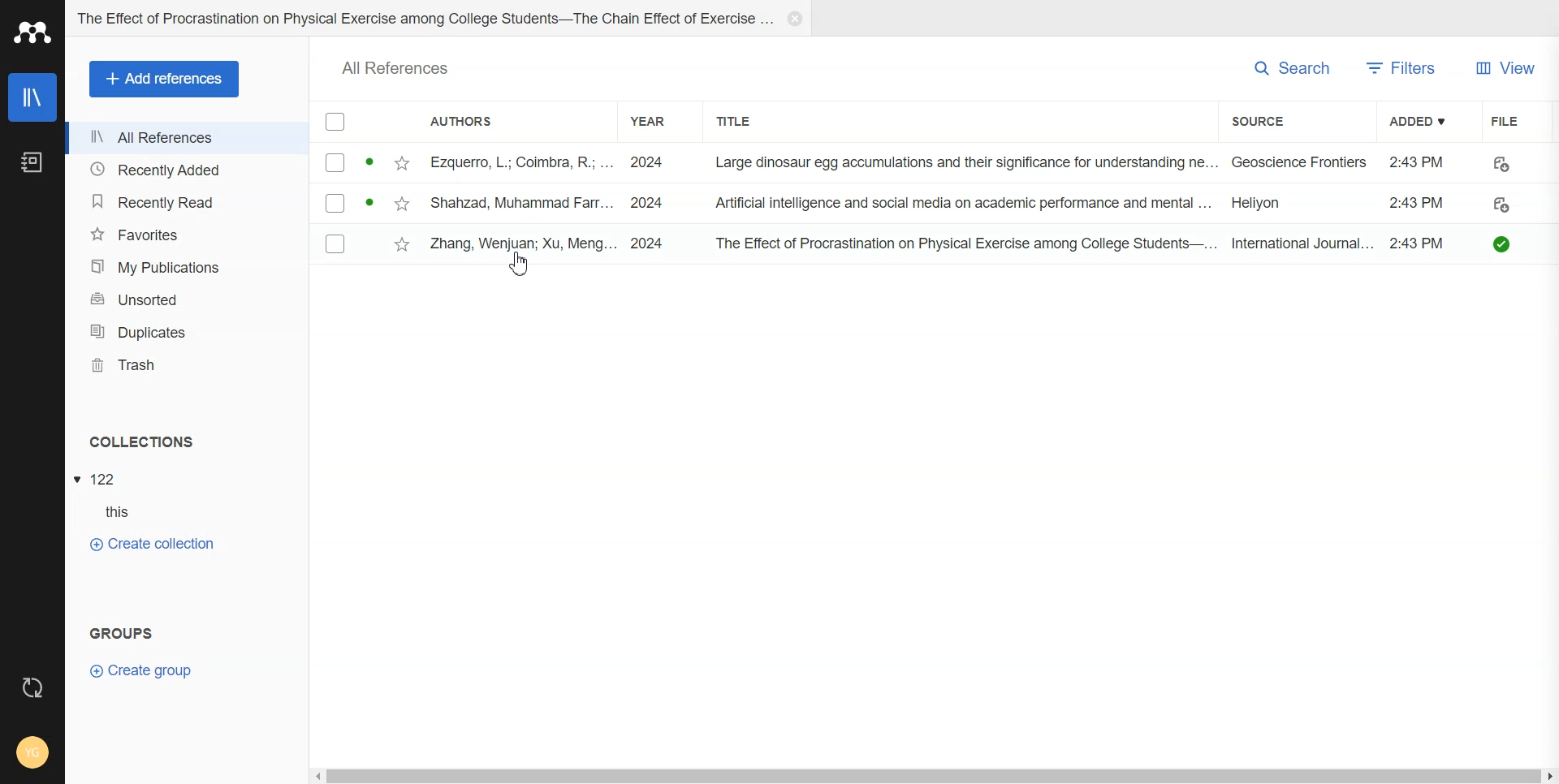 This screenshot has height=784, width=1559. Describe the element at coordinates (191, 266) in the screenshot. I see `My Publications` at that location.